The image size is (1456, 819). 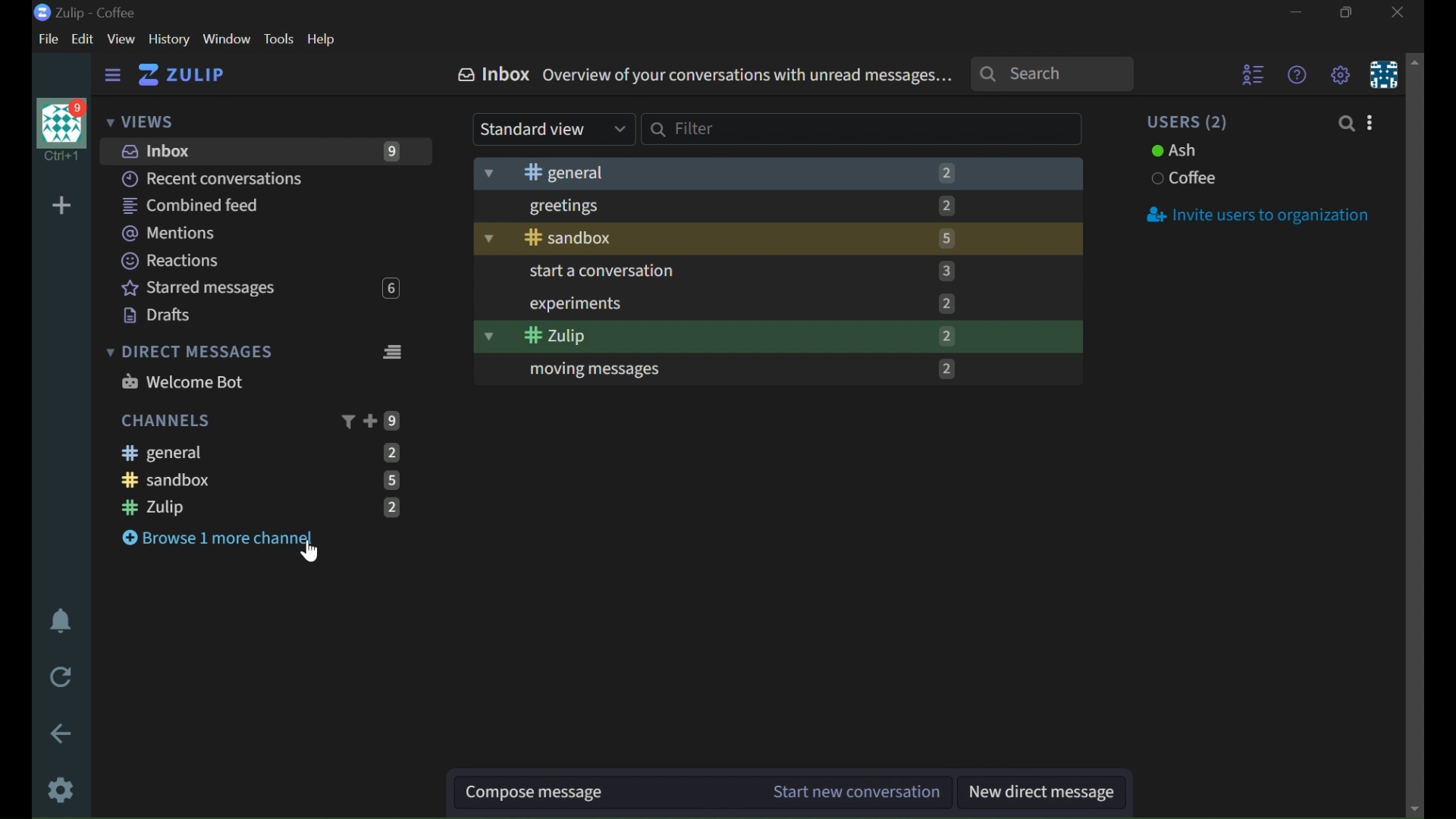 What do you see at coordinates (601, 793) in the screenshot?
I see `COMPOSE MESSAGE` at bounding box center [601, 793].